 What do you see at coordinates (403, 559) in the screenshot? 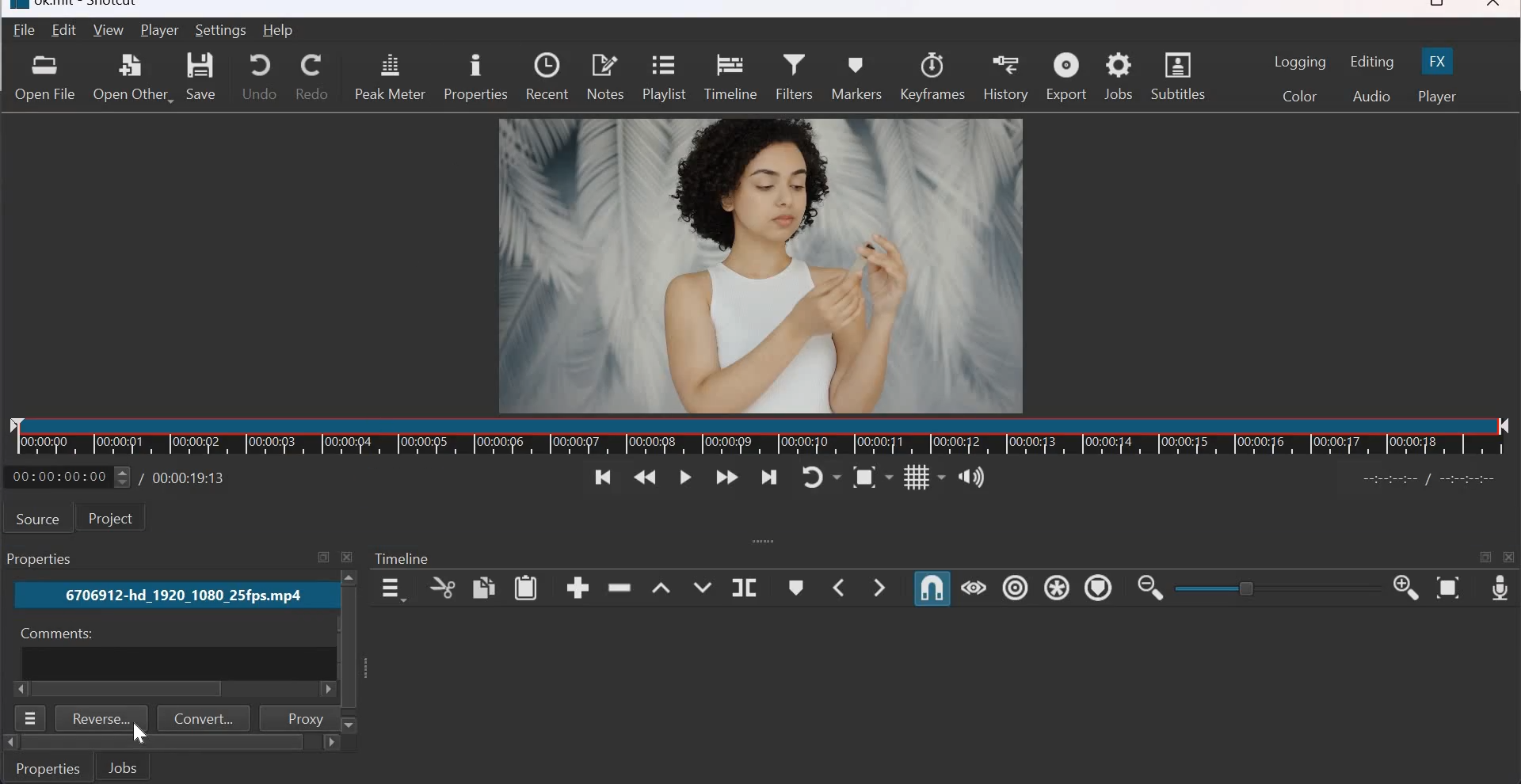
I see `Timeline` at bounding box center [403, 559].